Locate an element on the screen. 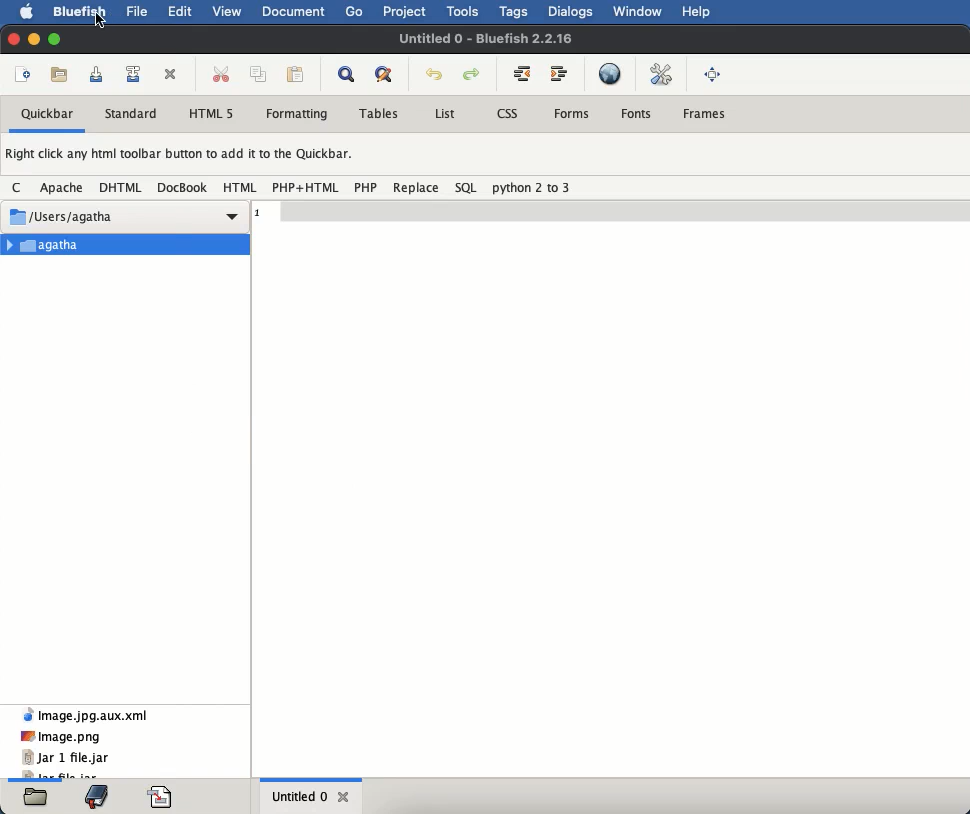 Image resolution: width=970 pixels, height=814 pixels. formatting is located at coordinates (296, 114).